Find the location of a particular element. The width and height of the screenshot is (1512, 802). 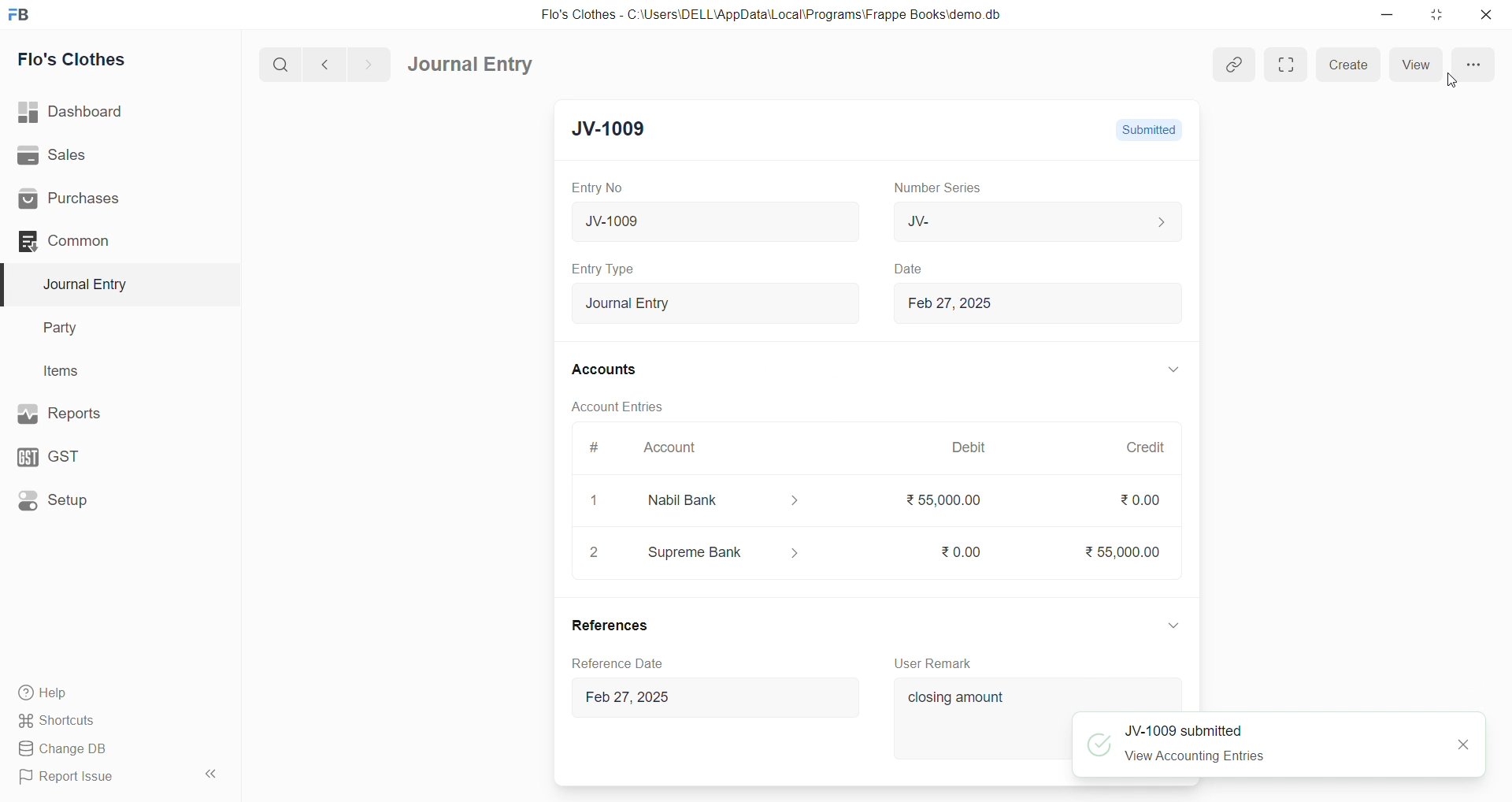

Reports is located at coordinates (93, 414).